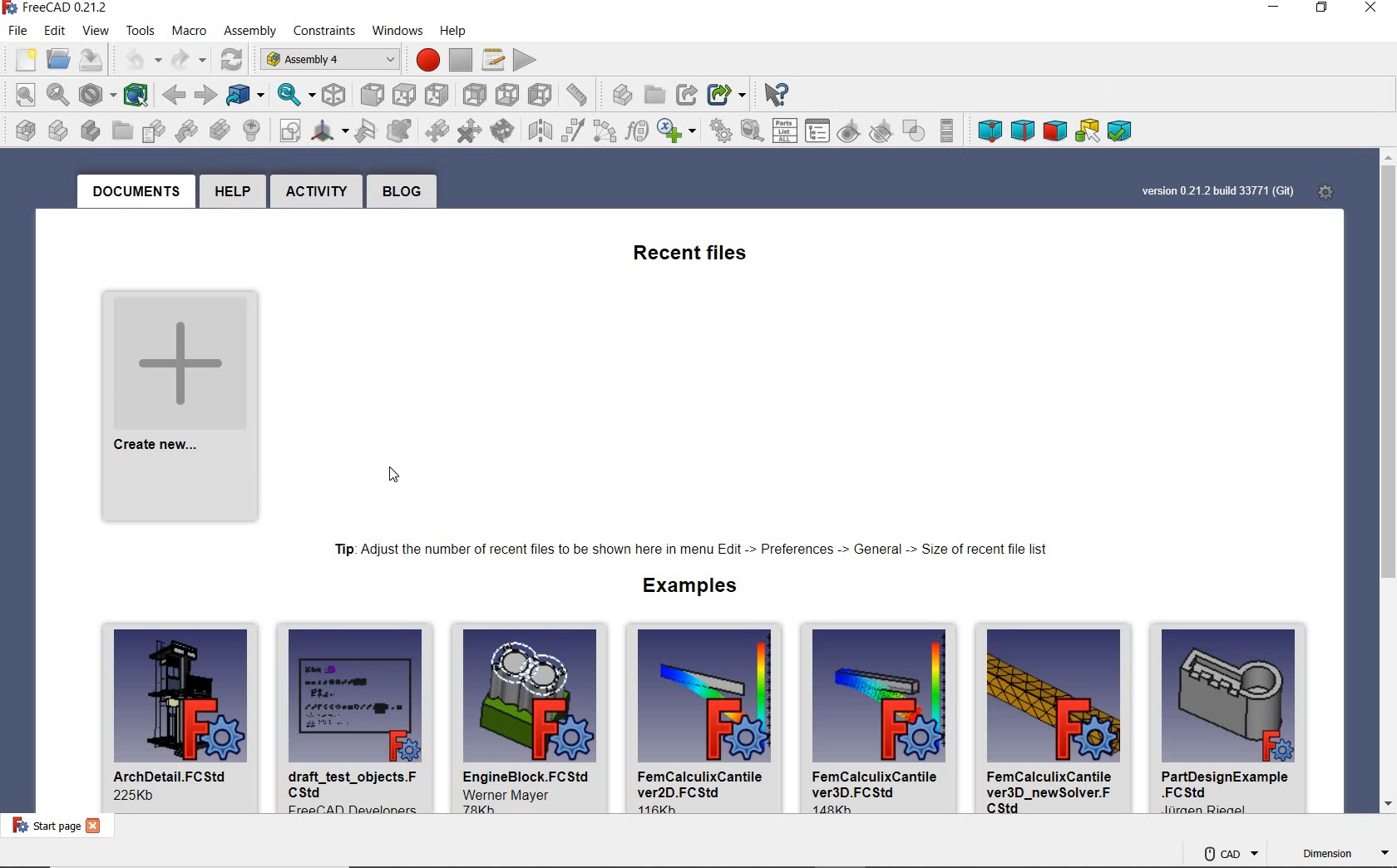  Describe the element at coordinates (96, 827) in the screenshot. I see `close` at that location.